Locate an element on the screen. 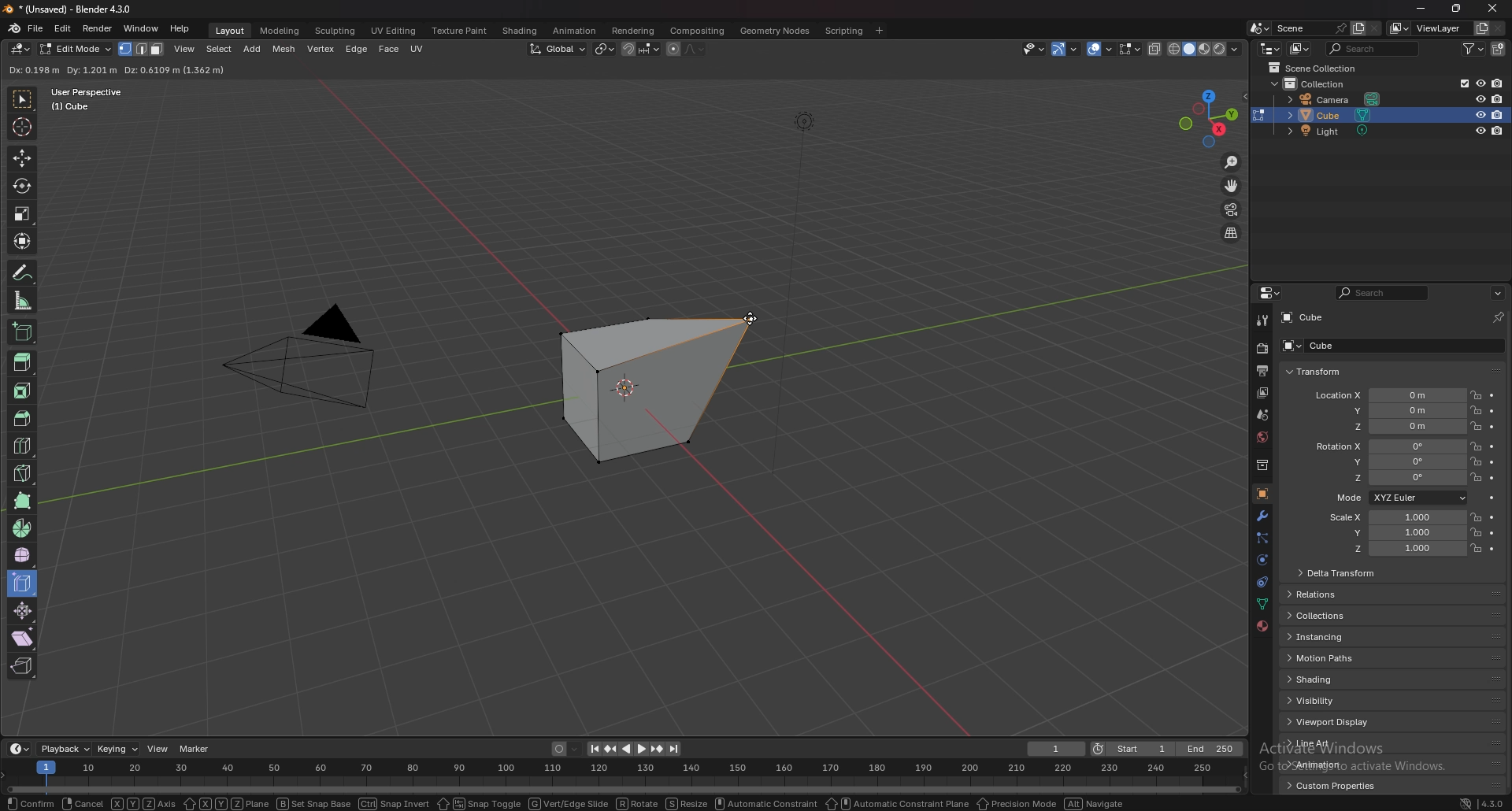  line art is located at coordinates (1327, 744).